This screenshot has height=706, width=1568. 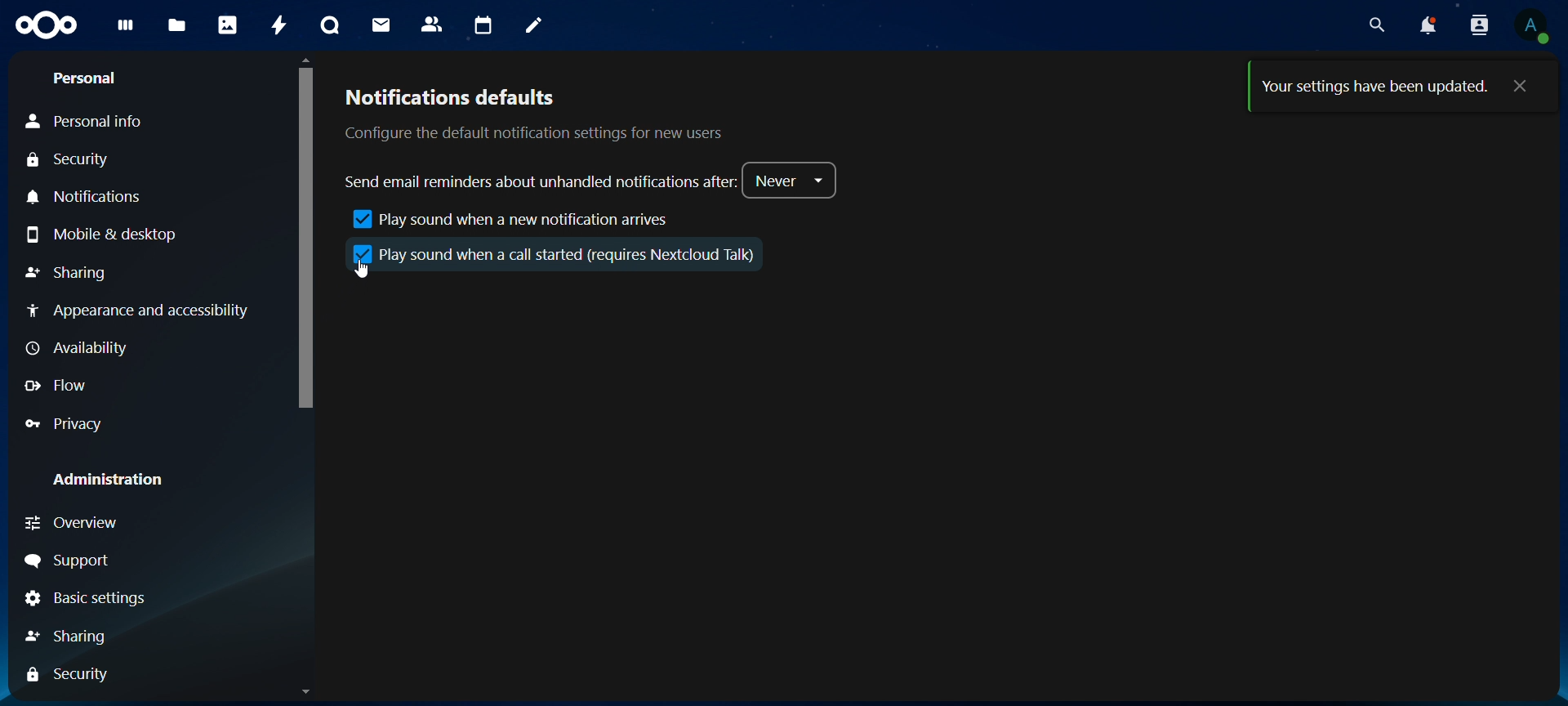 I want to click on search, so click(x=1379, y=25).